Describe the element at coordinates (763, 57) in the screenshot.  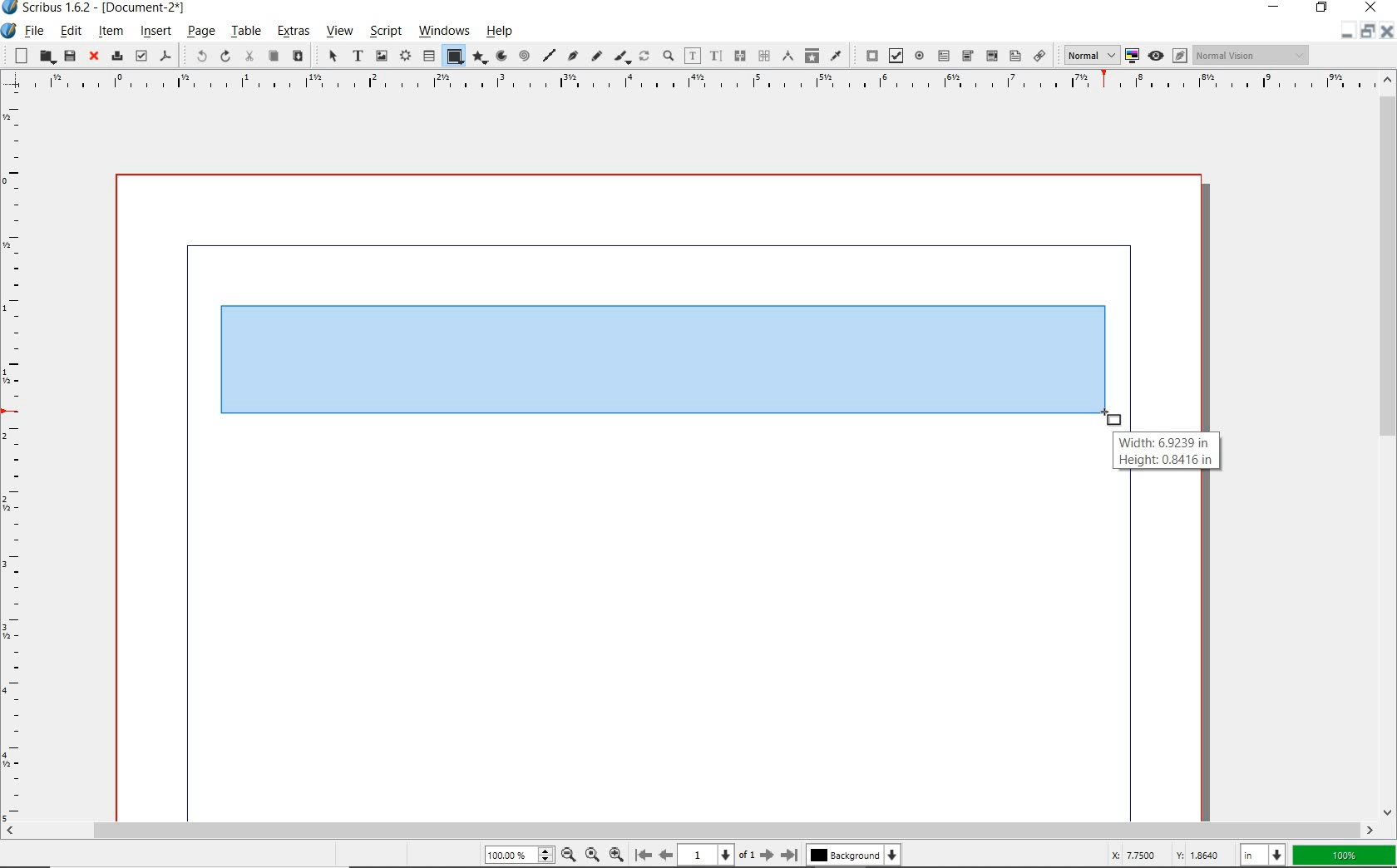
I see `measurements` at that location.